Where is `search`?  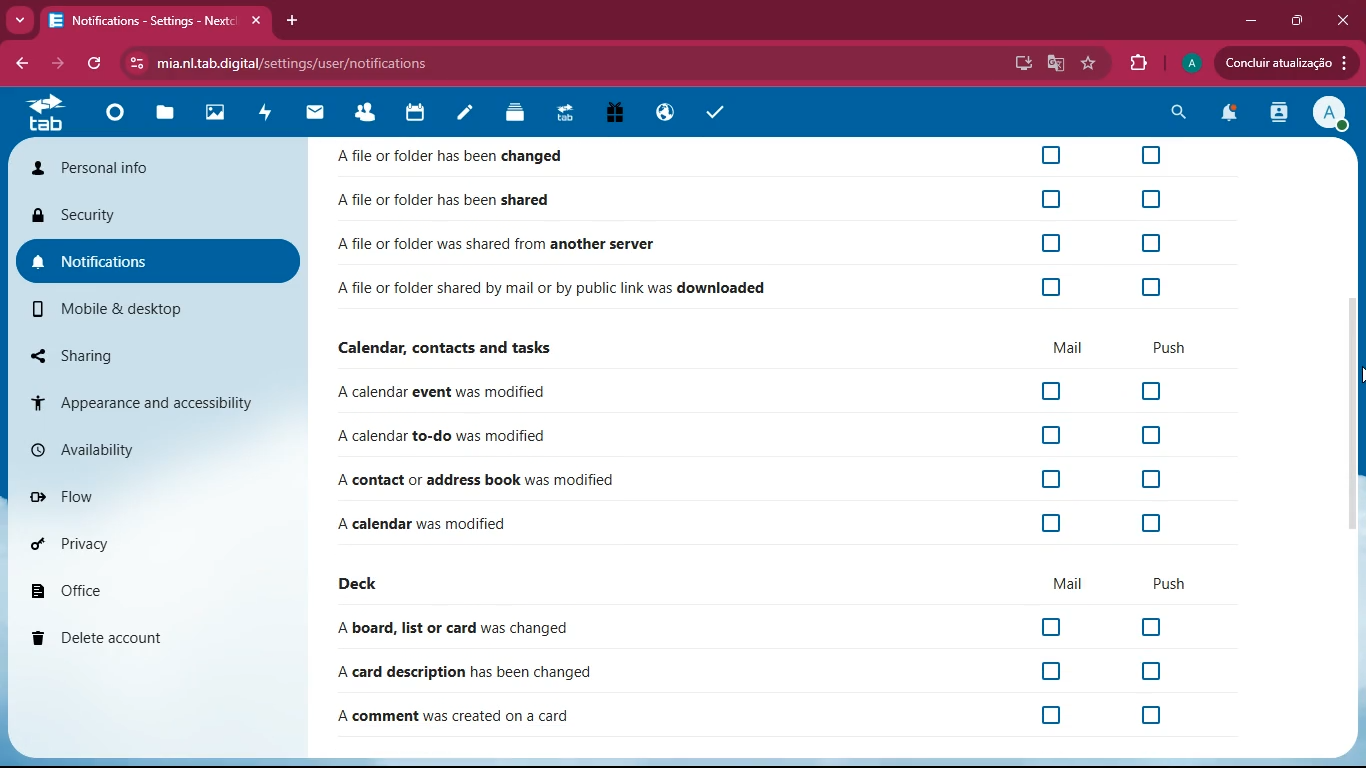
search is located at coordinates (1175, 112).